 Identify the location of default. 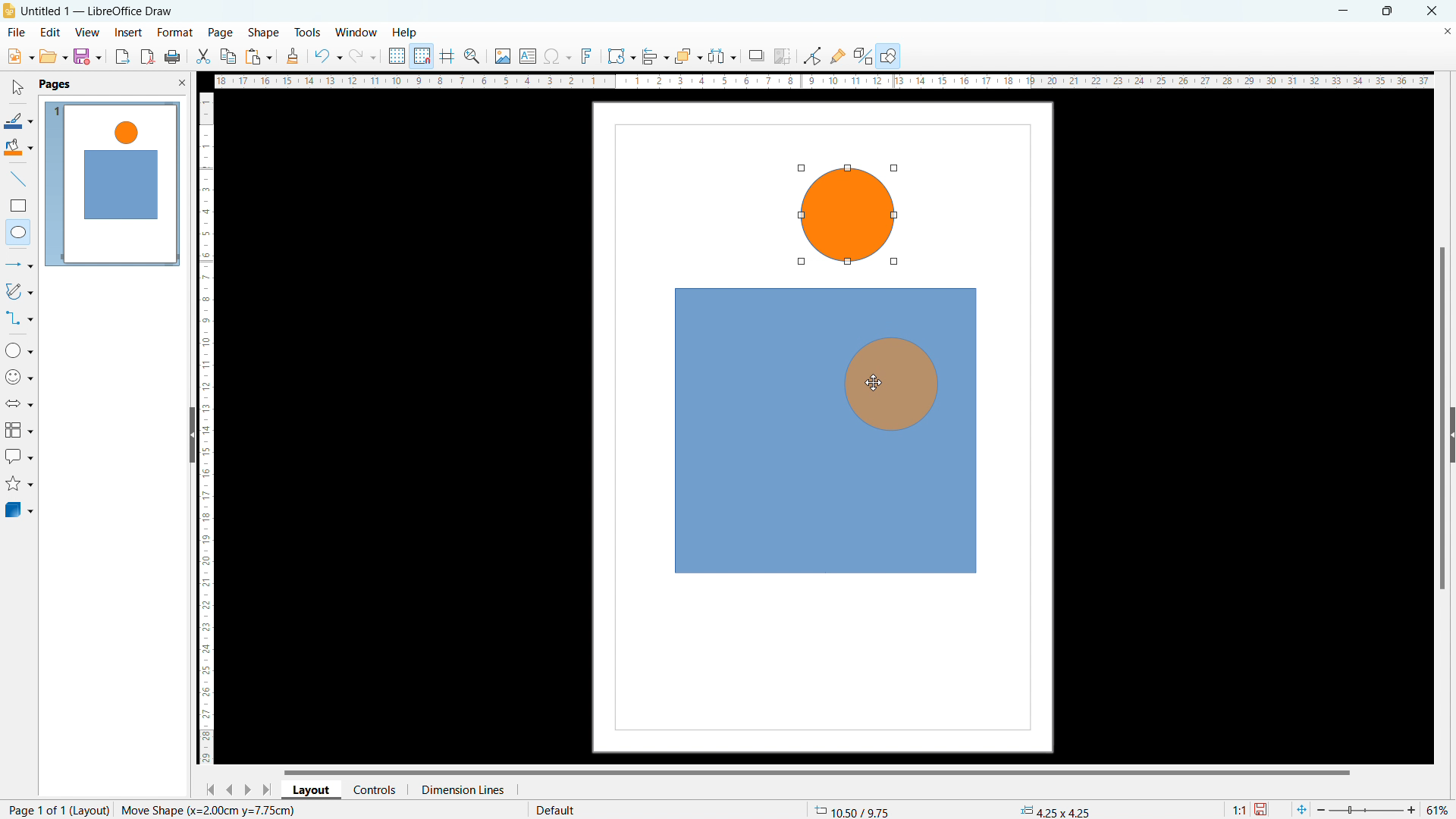
(554, 809).